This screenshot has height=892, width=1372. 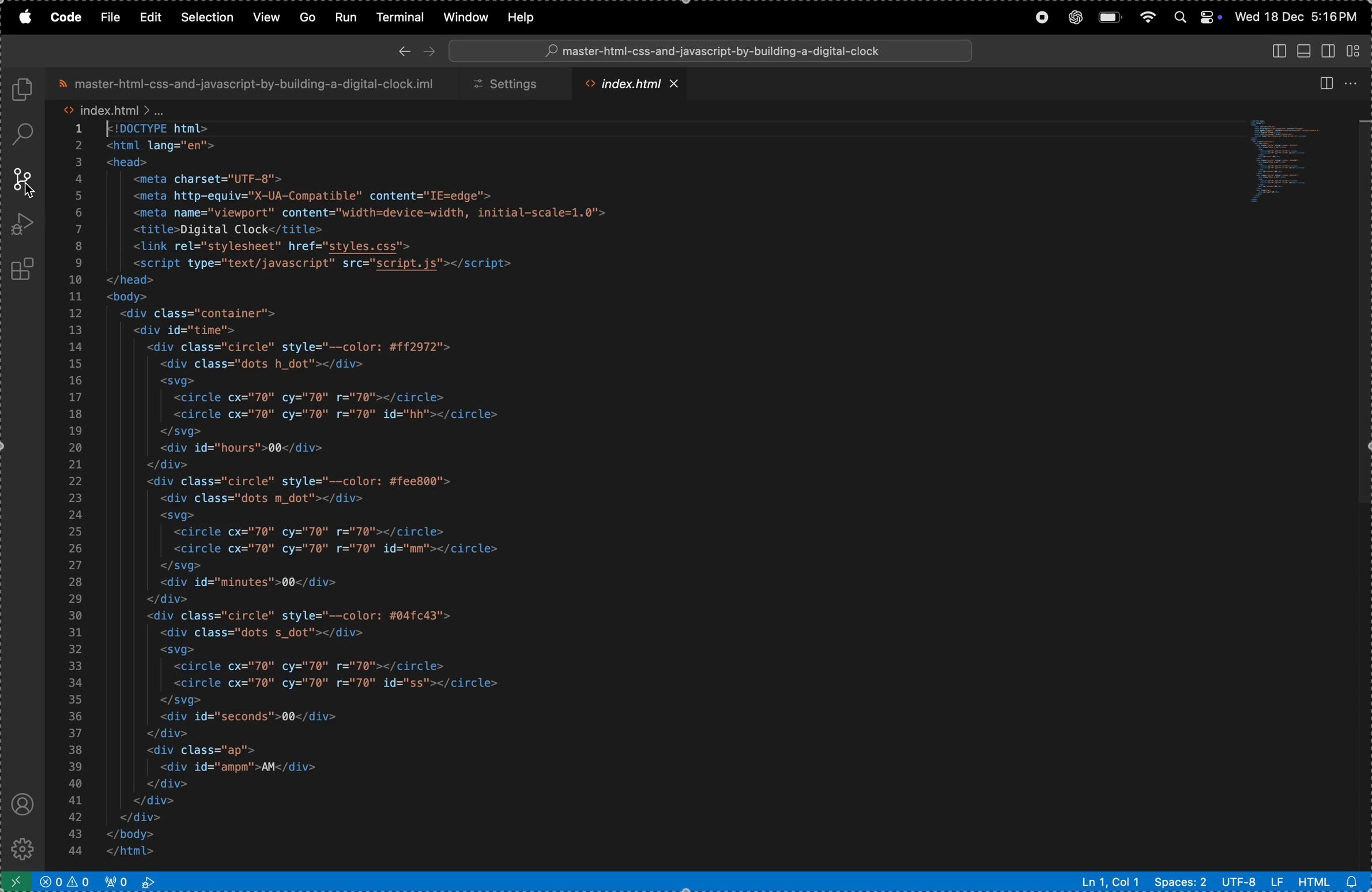 What do you see at coordinates (137, 816) in the screenshot?
I see `</div>` at bounding box center [137, 816].